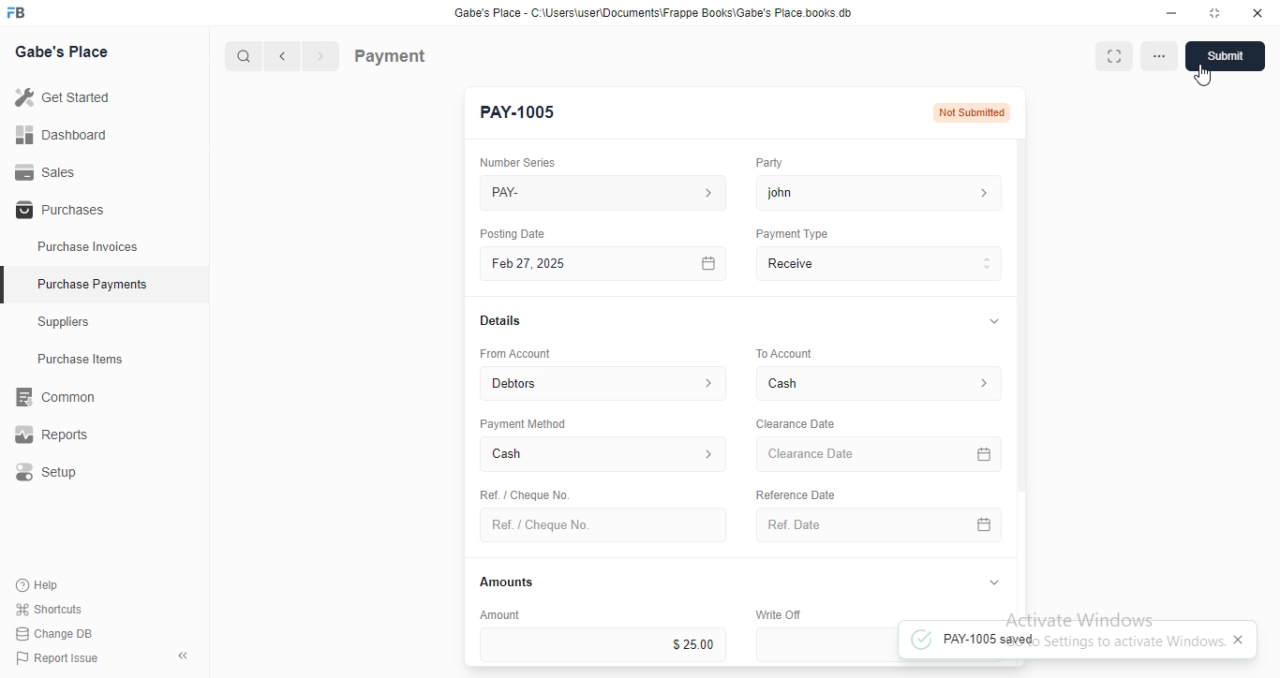 The width and height of the screenshot is (1280, 678). What do you see at coordinates (1213, 13) in the screenshot?
I see `resize` at bounding box center [1213, 13].